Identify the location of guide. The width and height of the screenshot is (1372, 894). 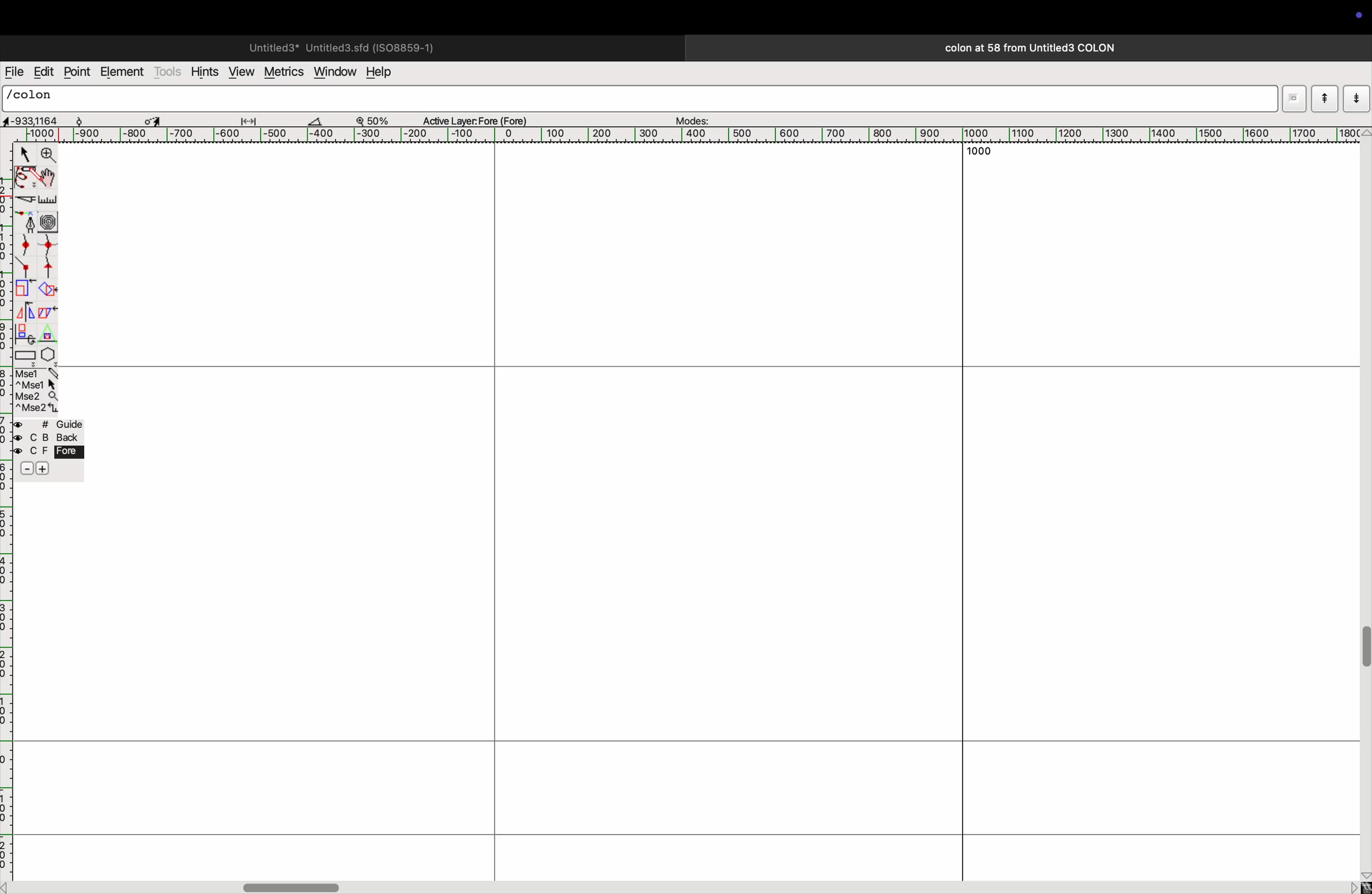
(52, 449).